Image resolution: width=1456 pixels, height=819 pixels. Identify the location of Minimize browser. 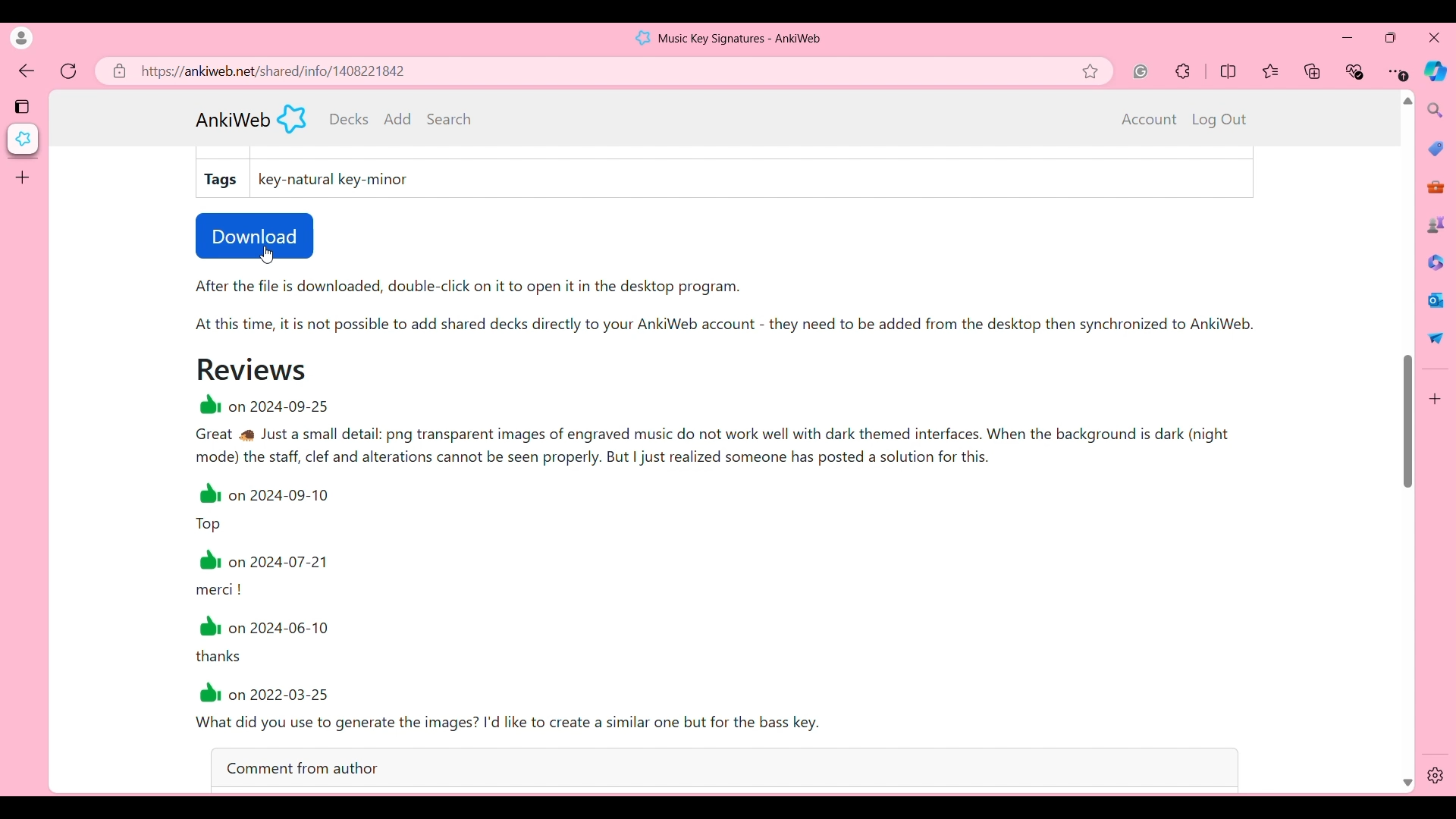
(1347, 37).